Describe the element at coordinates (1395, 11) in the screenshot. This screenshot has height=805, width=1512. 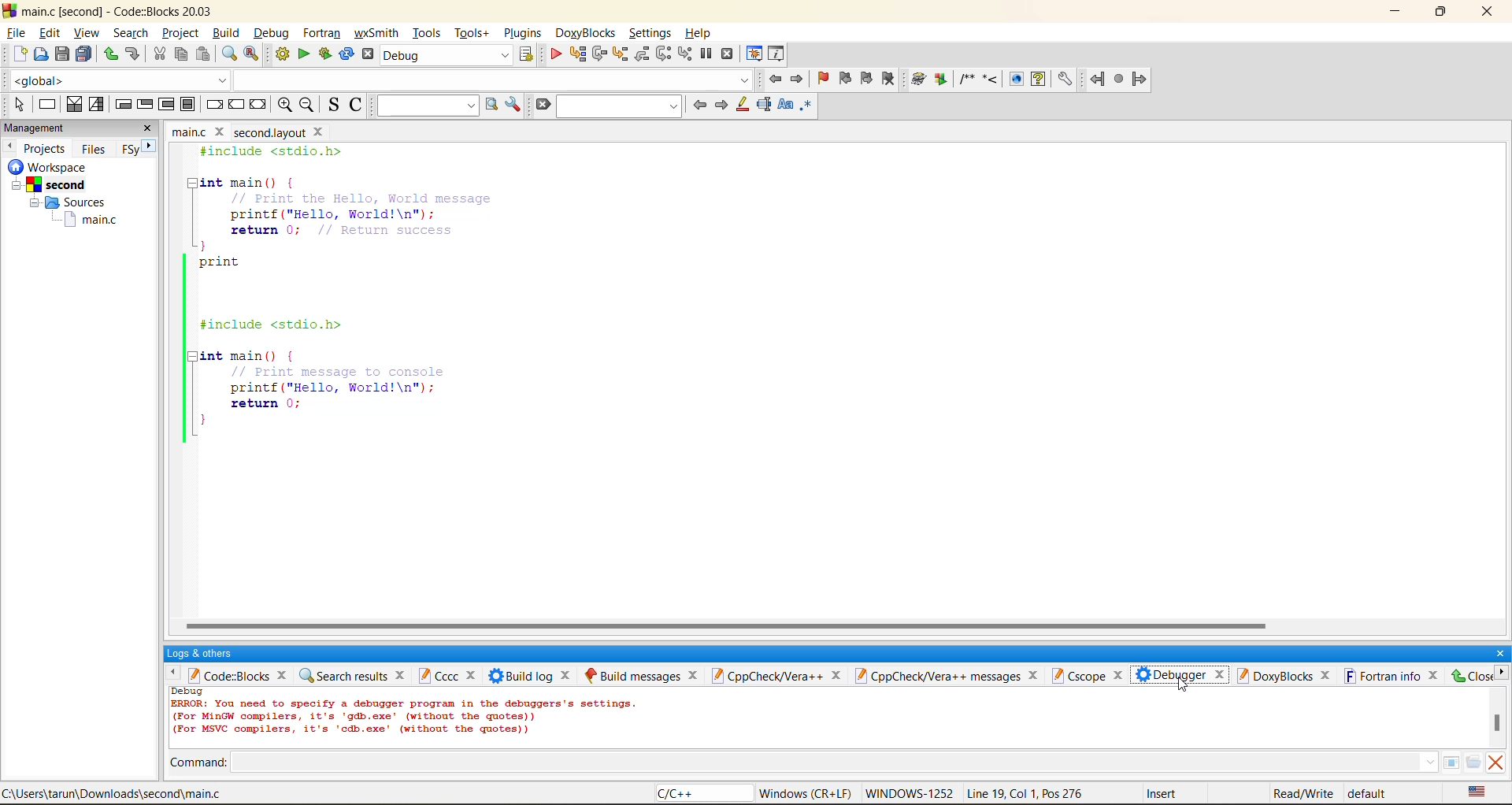
I see `minimize` at that location.